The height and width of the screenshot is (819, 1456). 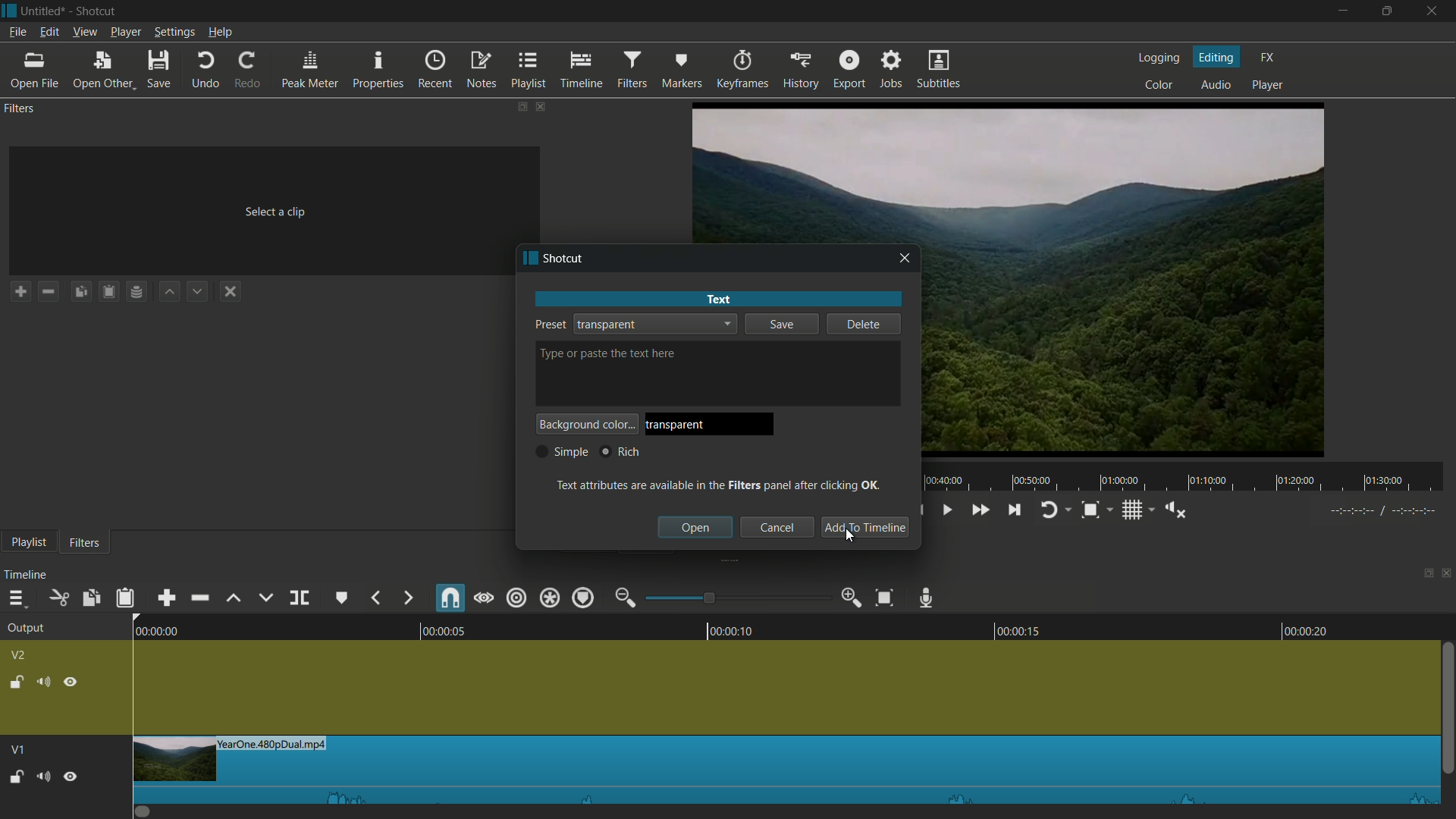 I want to click on Volume, so click(x=42, y=775).